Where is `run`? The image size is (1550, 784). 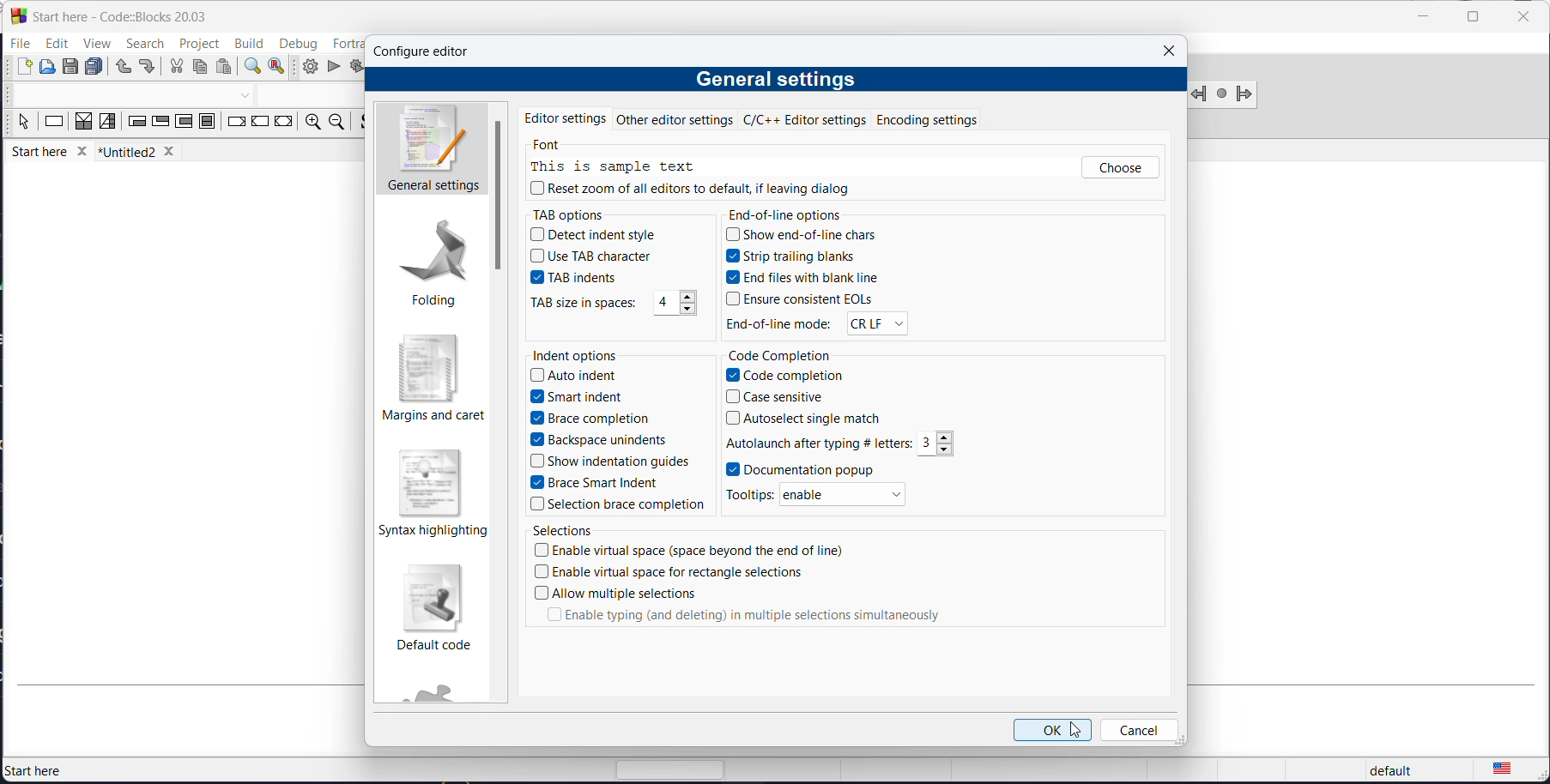
run is located at coordinates (334, 67).